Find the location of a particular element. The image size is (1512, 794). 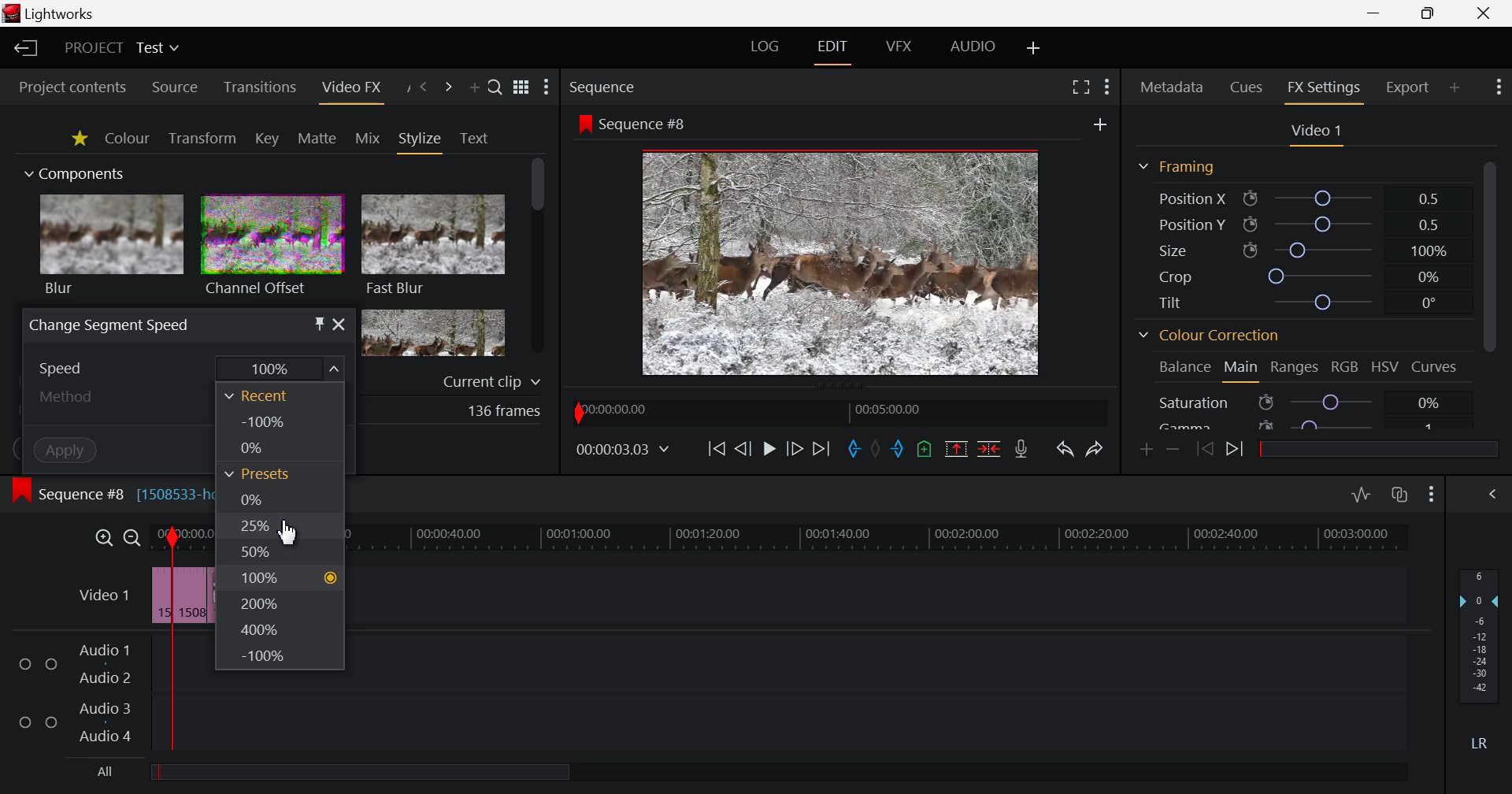

Project contents is located at coordinates (72, 85).